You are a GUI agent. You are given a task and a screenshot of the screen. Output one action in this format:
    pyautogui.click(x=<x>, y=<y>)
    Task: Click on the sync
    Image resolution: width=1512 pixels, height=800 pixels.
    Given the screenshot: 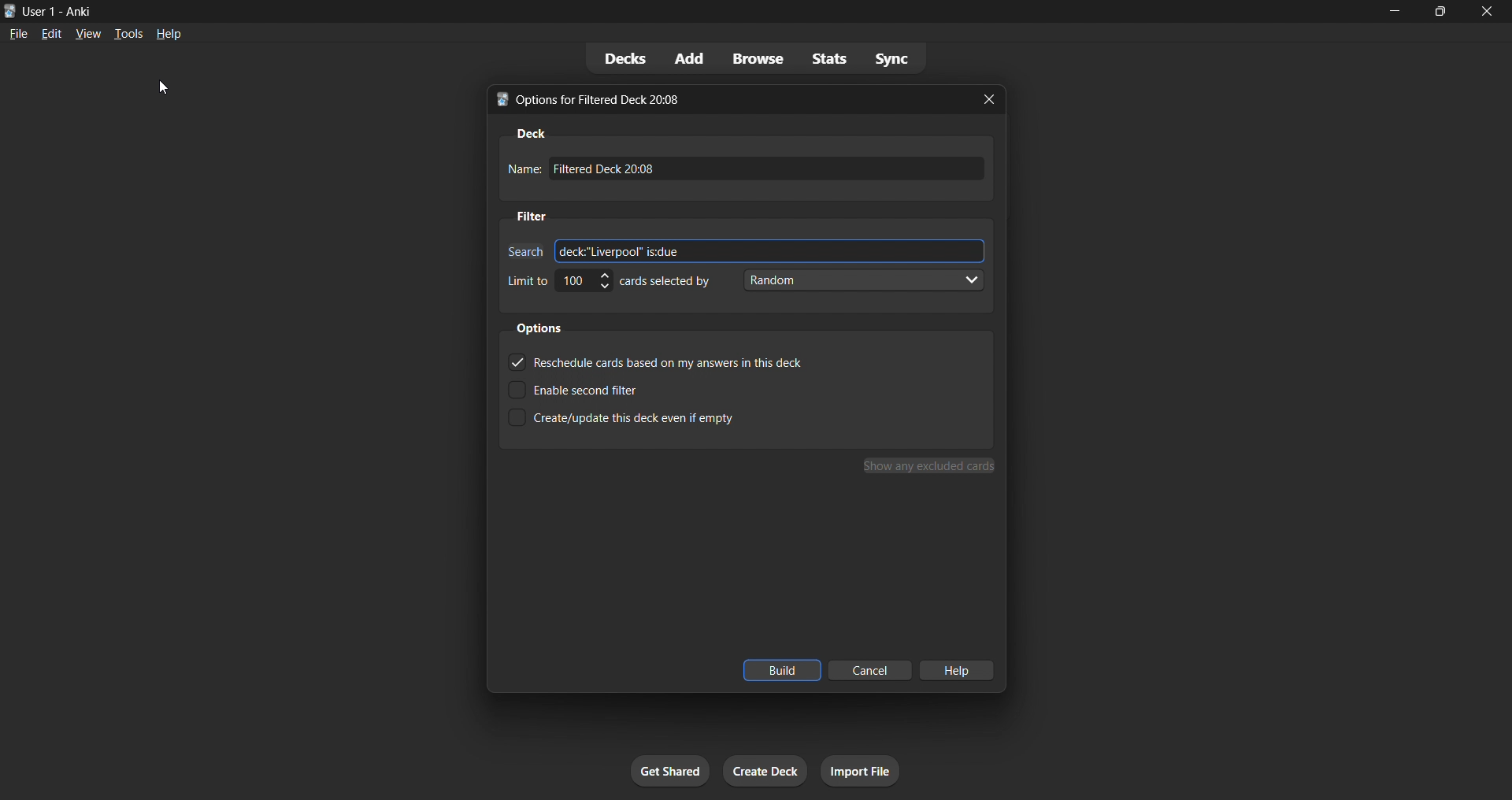 What is the action you would take?
    pyautogui.click(x=895, y=58)
    